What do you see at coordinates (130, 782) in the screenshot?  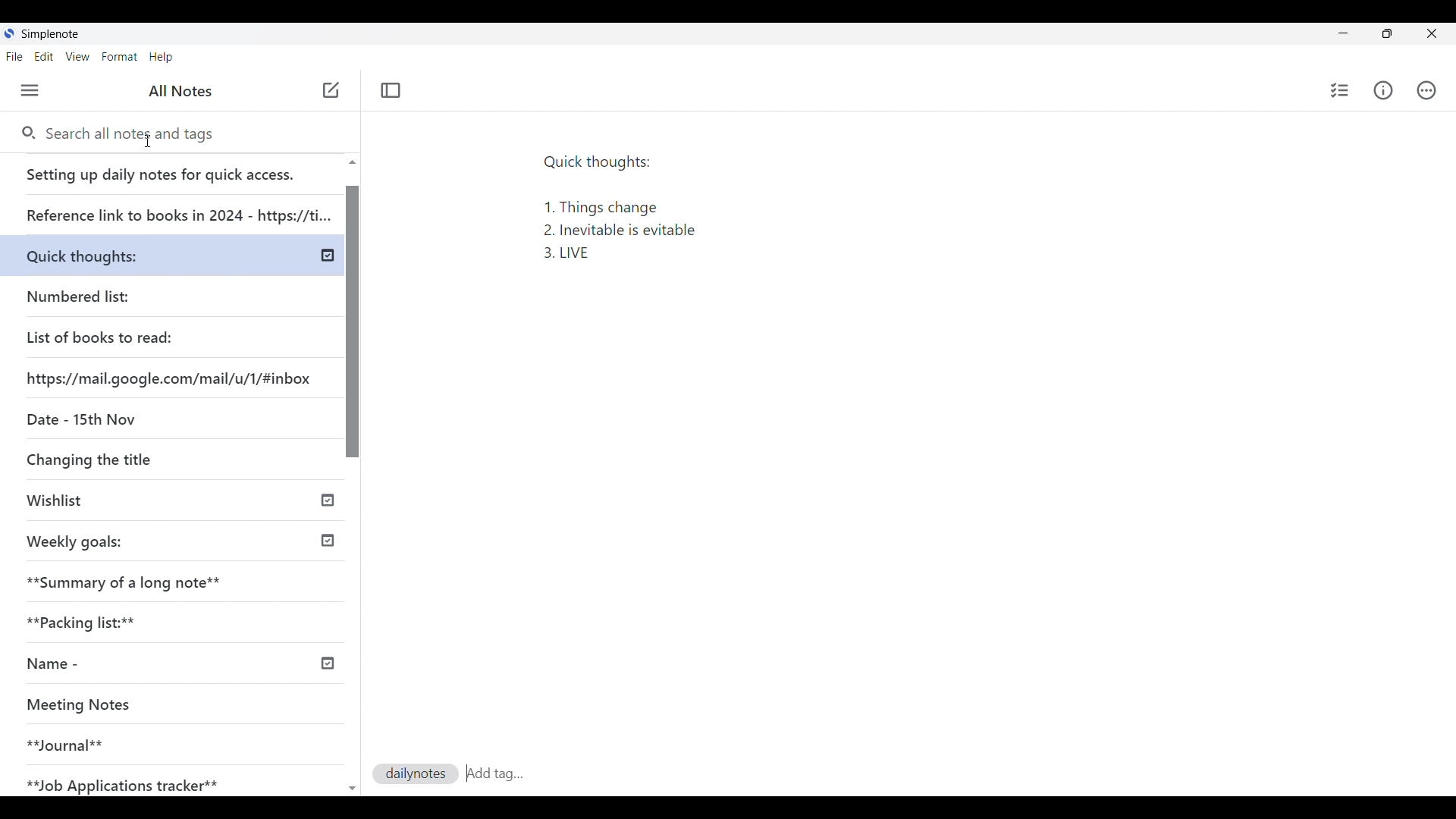 I see `Job Application tracker` at bounding box center [130, 782].